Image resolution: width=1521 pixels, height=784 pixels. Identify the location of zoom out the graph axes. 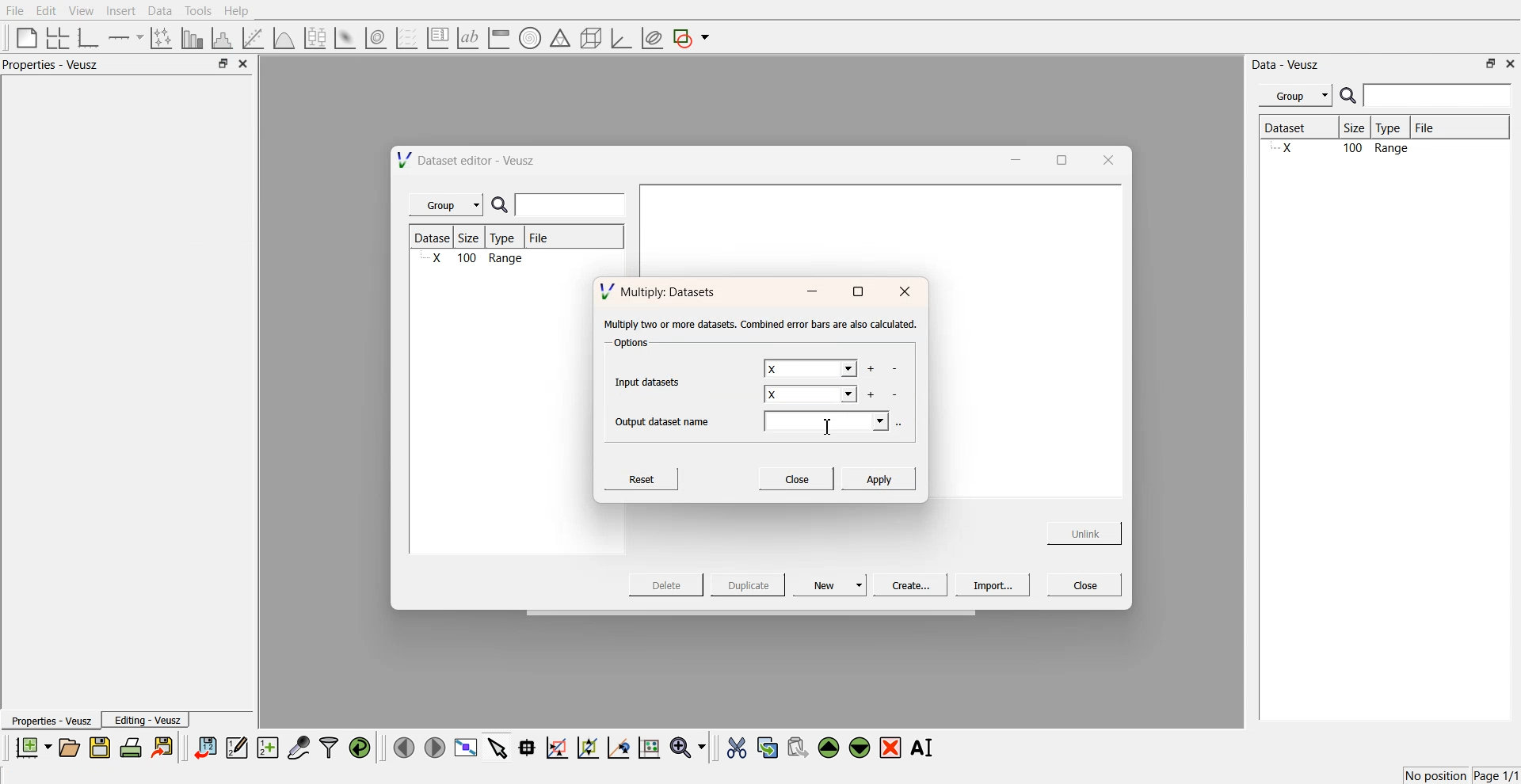
(586, 747).